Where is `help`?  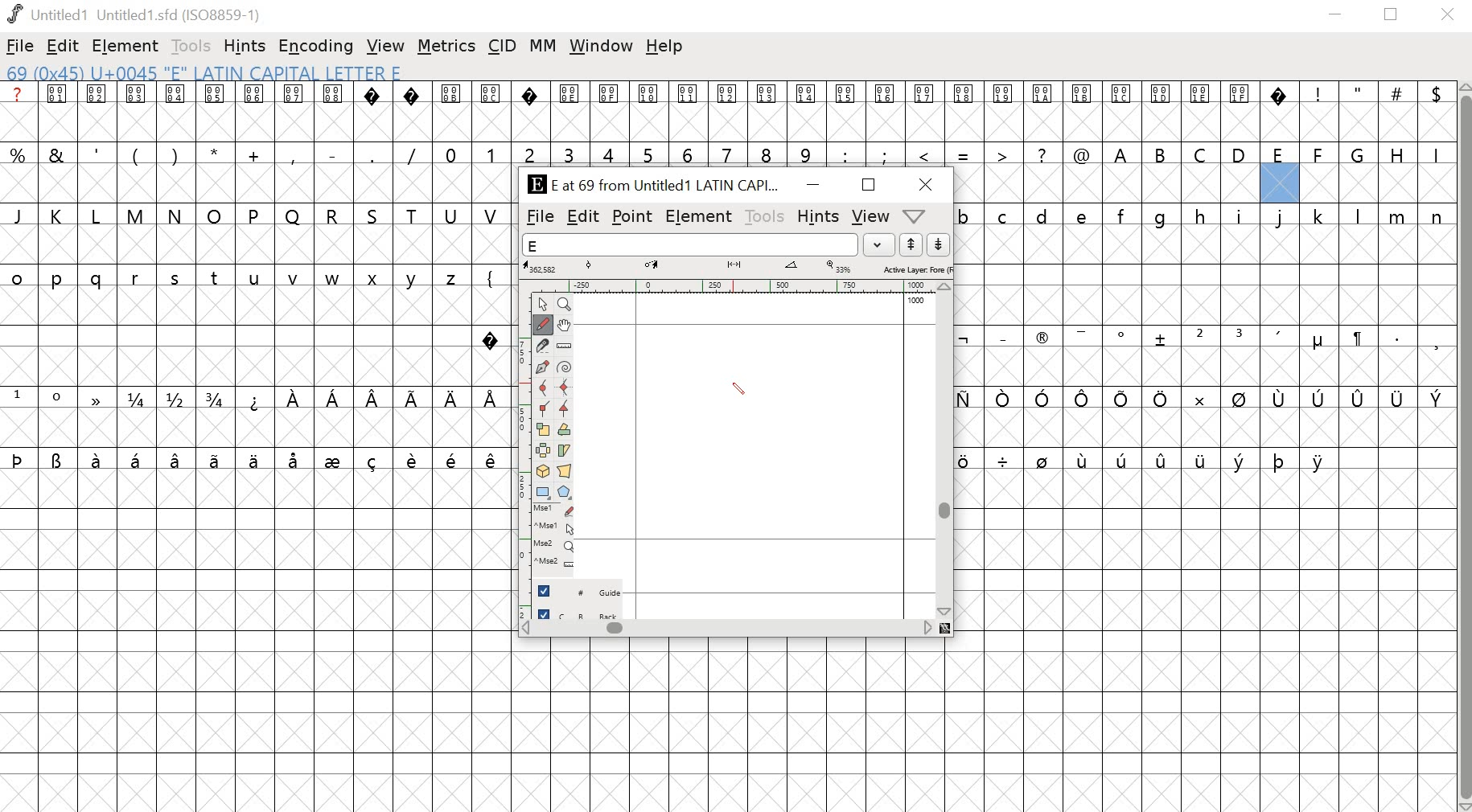
help is located at coordinates (664, 47).